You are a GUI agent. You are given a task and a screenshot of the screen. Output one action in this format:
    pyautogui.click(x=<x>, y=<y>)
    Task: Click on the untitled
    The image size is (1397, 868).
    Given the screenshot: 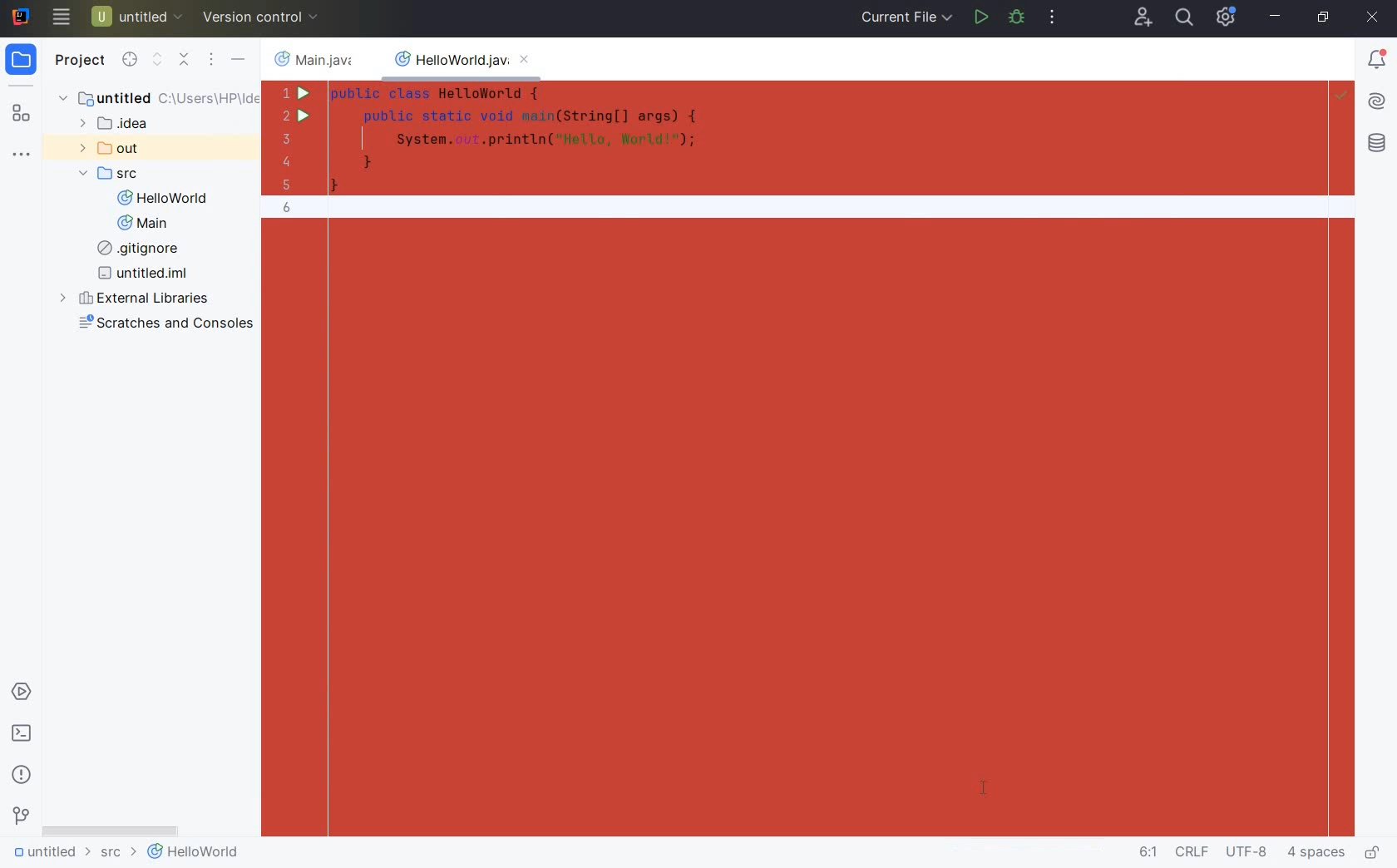 What is the action you would take?
    pyautogui.click(x=48, y=855)
    